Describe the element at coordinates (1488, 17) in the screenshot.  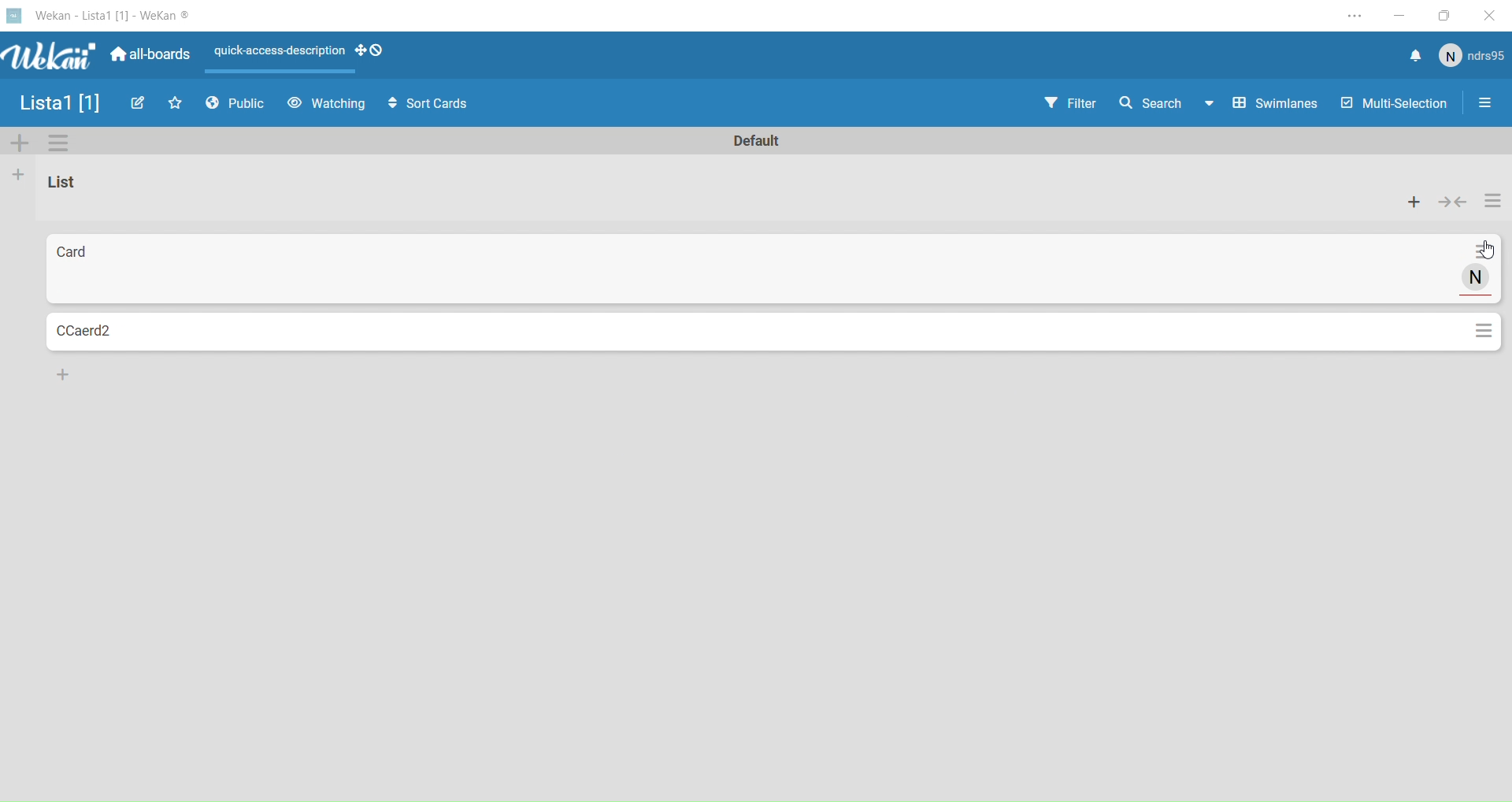
I see `Close` at that location.